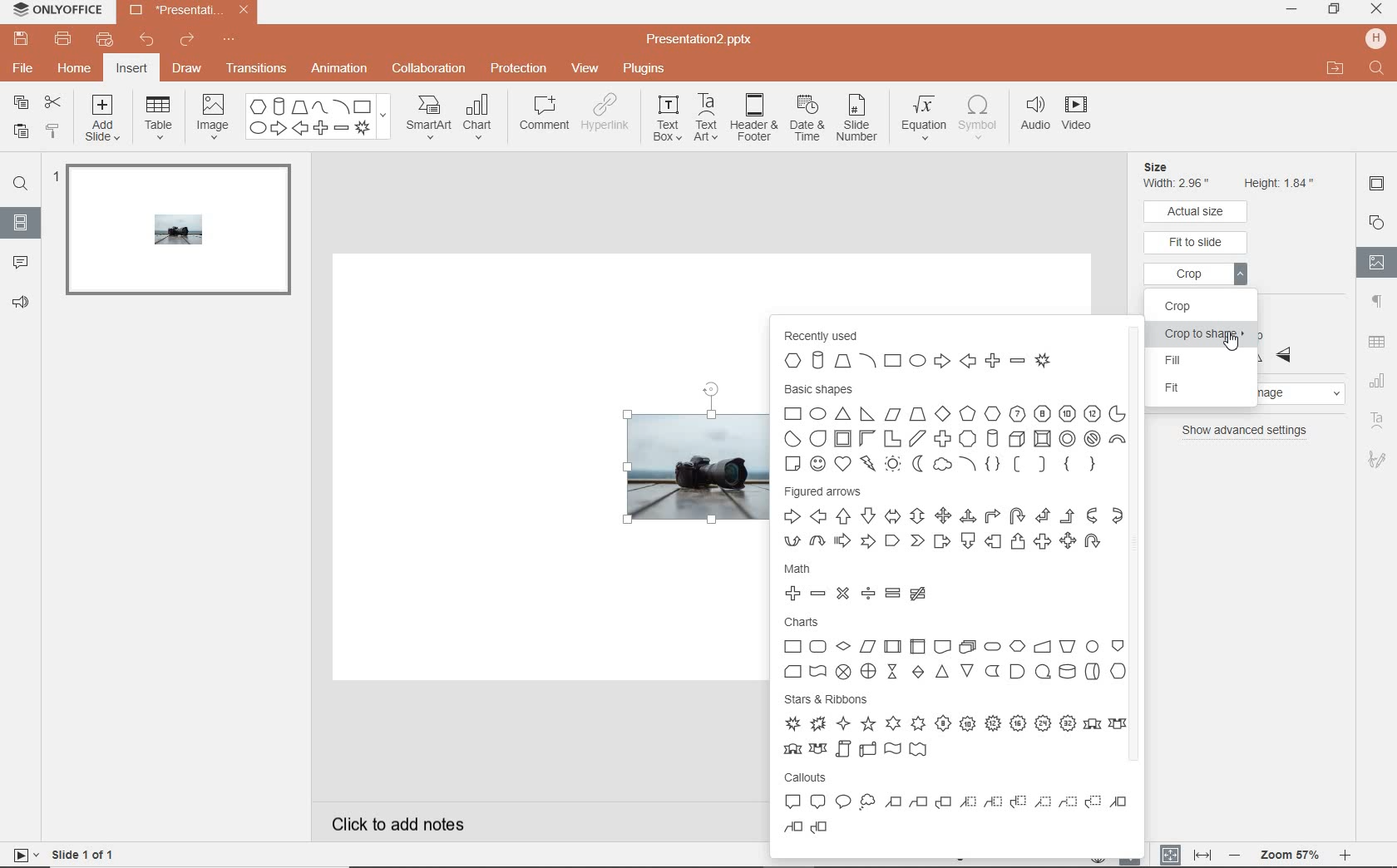 The image size is (1397, 868). What do you see at coordinates (21, 303) in the screenshot?
I see `feedback & support` at bounding box center [21, 303].